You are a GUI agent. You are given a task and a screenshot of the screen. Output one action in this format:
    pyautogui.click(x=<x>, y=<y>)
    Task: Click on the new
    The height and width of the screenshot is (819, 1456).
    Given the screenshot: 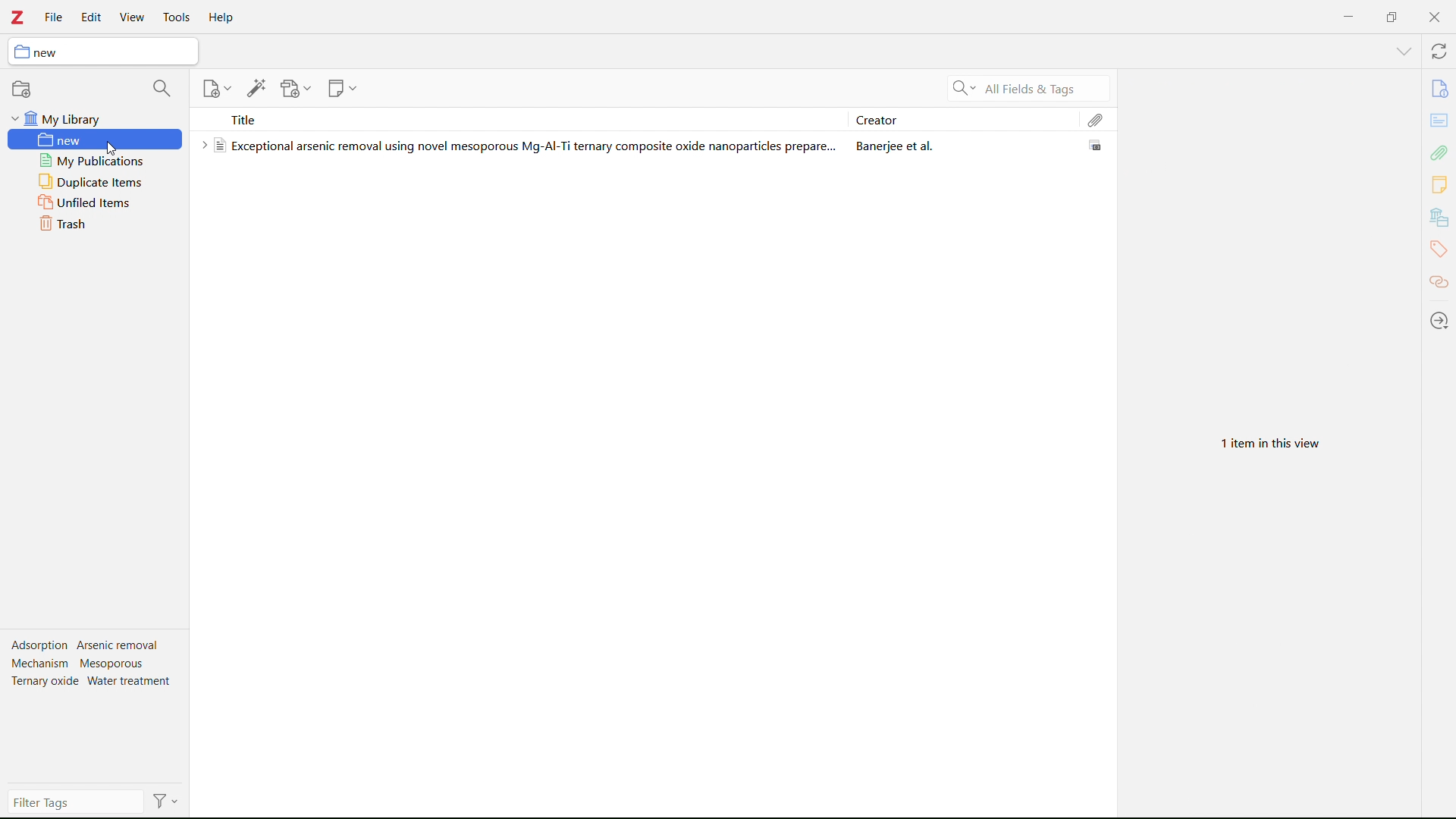 What is the action you would take?
    pyautogui.click(x=93, y=140)
    